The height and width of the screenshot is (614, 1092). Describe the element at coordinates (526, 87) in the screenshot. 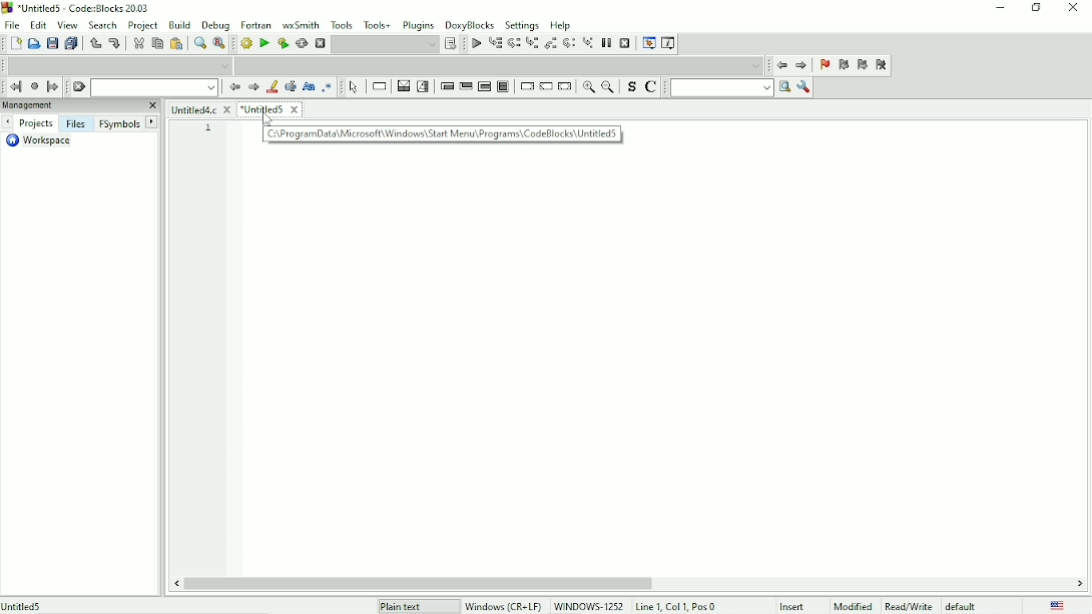

I see `Break-instruction` at that location.